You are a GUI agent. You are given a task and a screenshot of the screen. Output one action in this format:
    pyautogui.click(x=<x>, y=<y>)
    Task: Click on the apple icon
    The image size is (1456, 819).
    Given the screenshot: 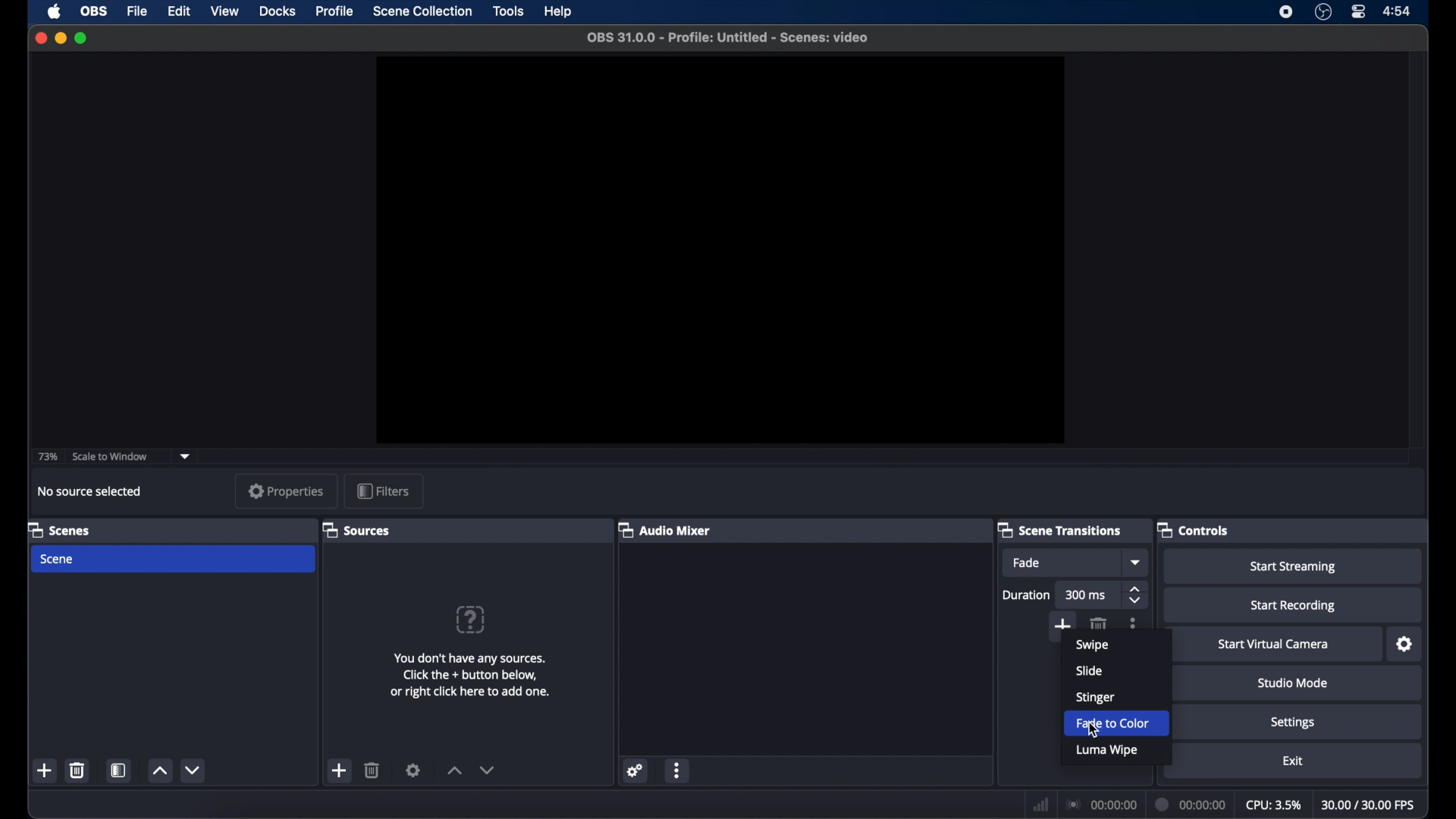 What is the action you would take?
    pyautogui.click(x=55, y=11)
    